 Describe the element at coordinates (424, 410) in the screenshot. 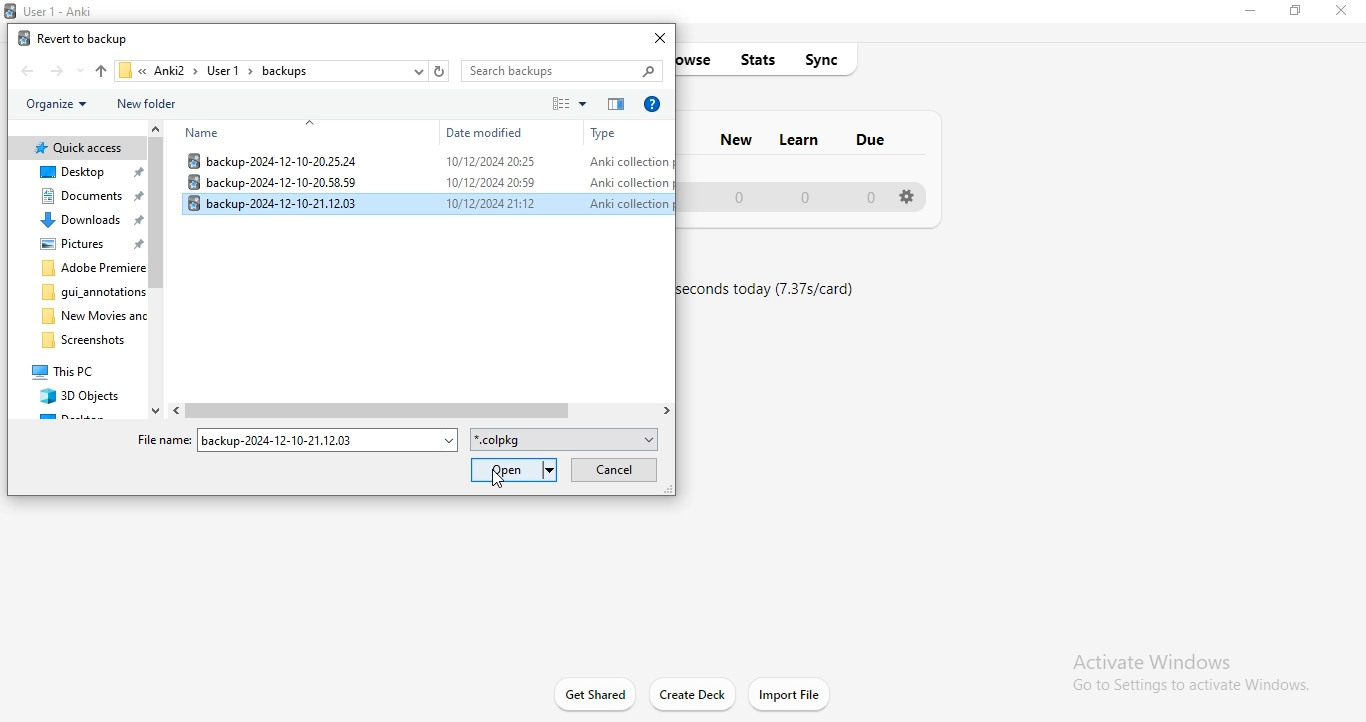

I see `scroll bar` at that location.